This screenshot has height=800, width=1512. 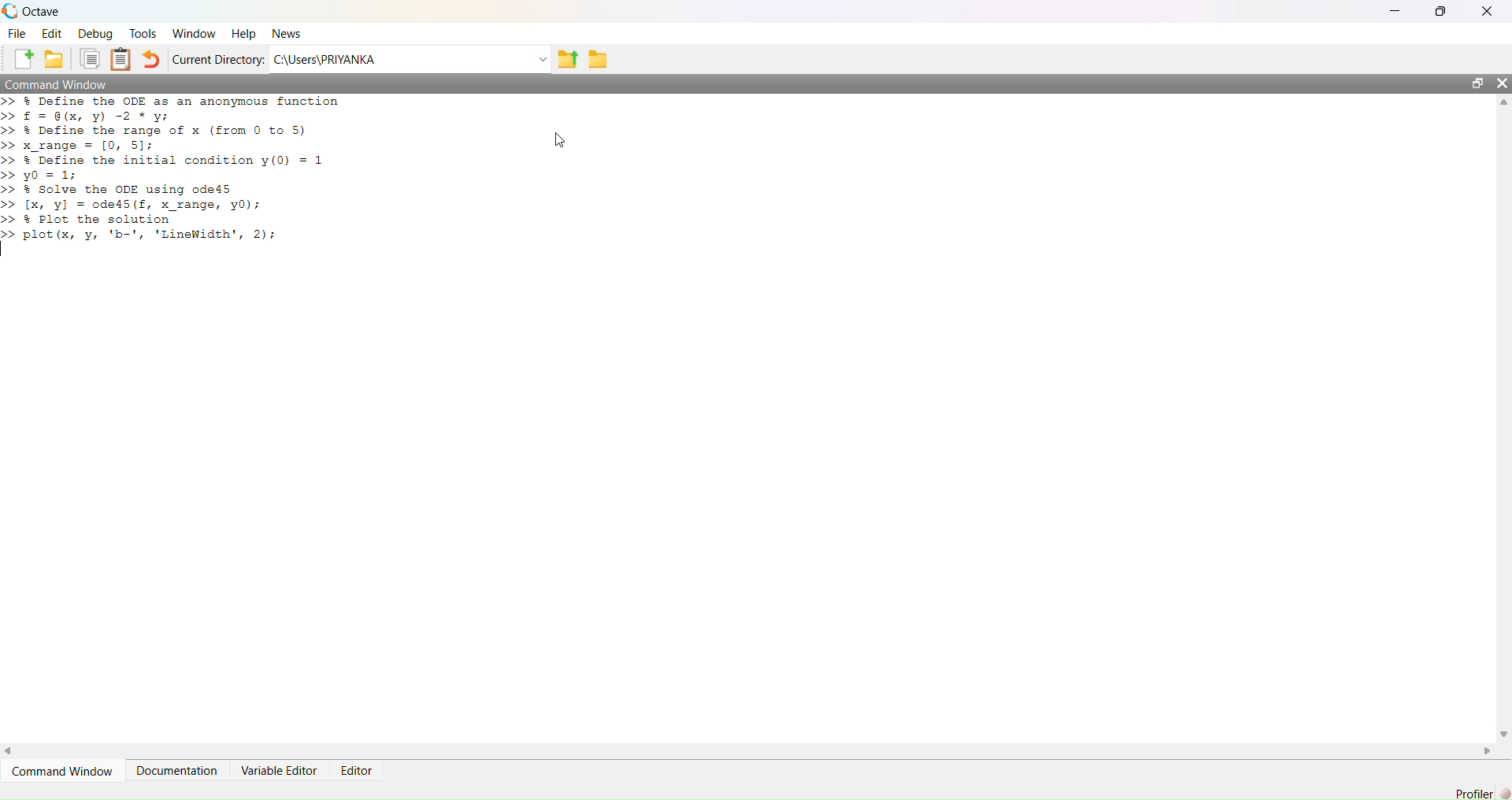 What do you see at coordinates (286, 34) in the screenshot?
I see `News` at bounding box center [286, 34].